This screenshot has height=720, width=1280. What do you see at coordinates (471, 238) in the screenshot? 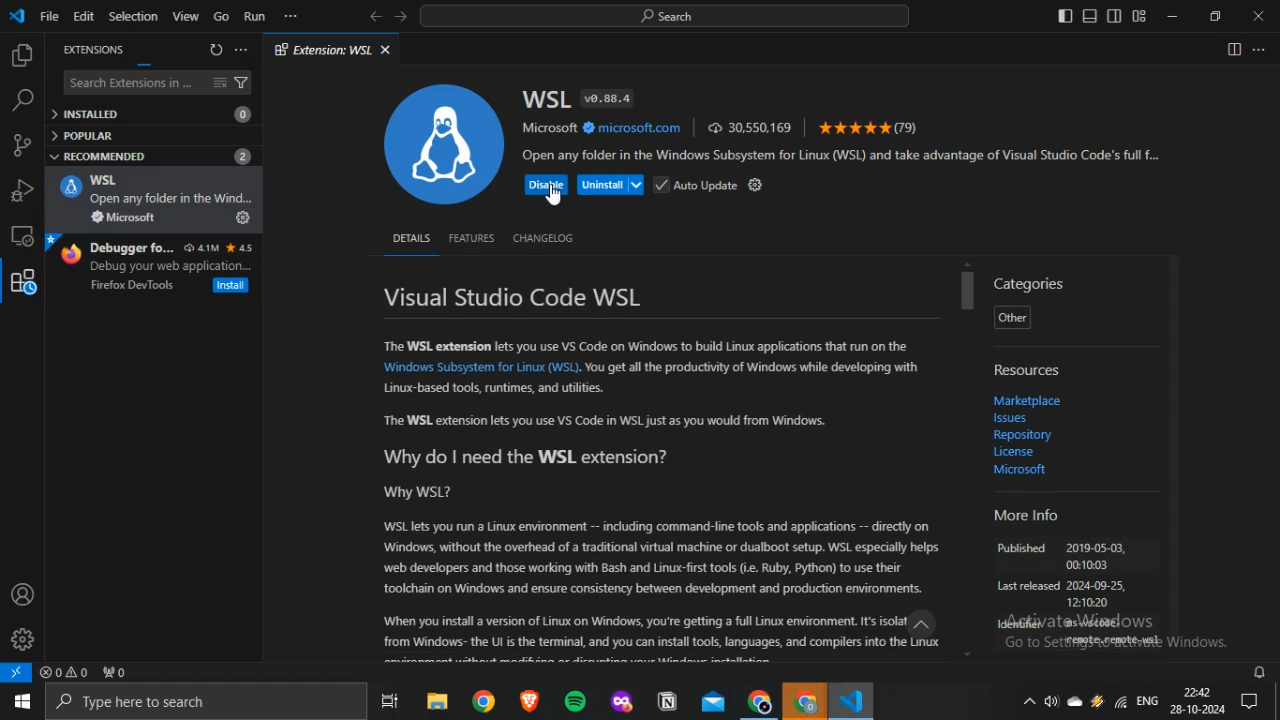
I see `FEATURES` at bounding box center [471, 238].